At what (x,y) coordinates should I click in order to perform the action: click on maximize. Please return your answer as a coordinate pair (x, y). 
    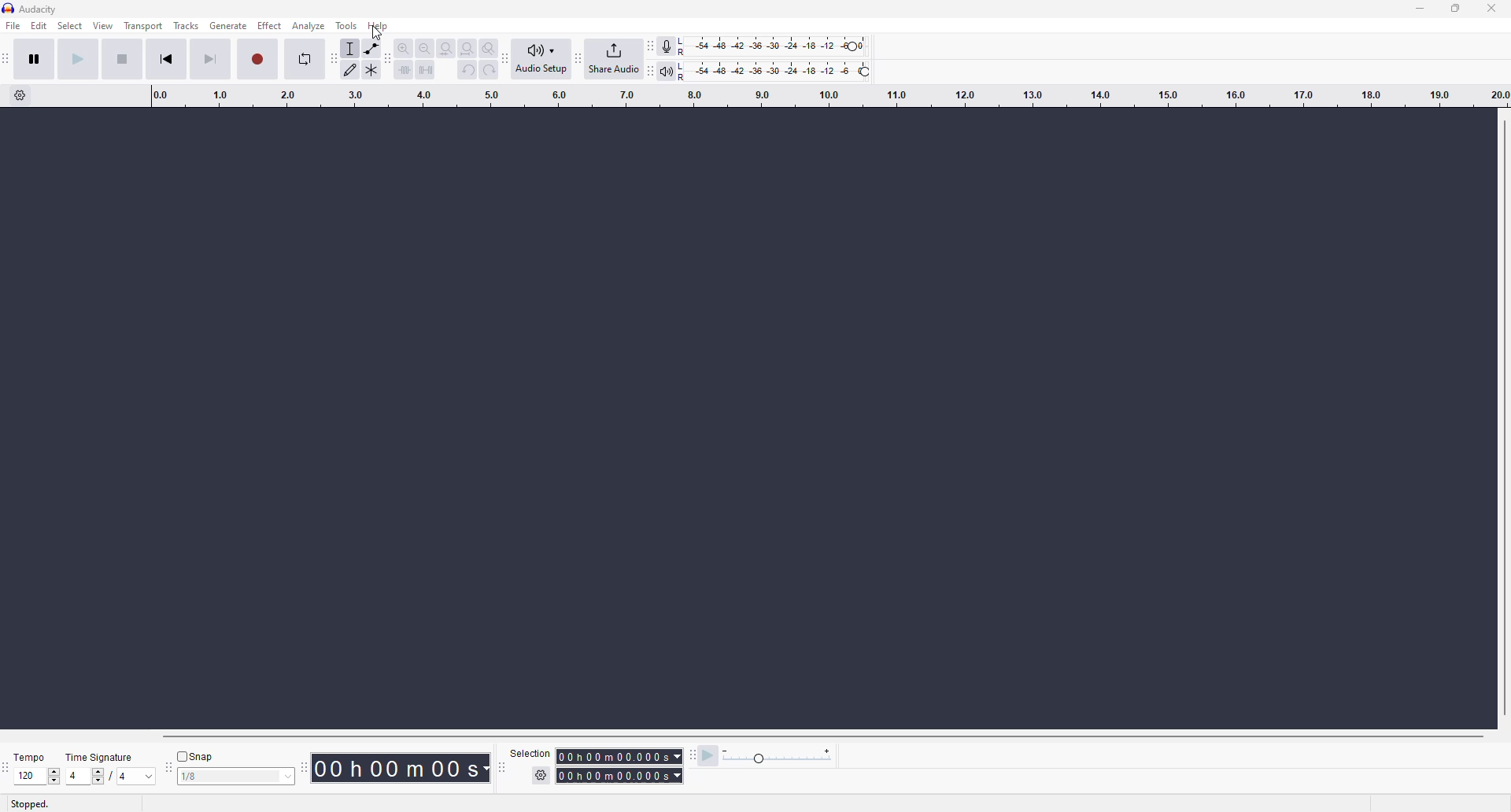
    Looking at the image, I should click on (1457, 10).